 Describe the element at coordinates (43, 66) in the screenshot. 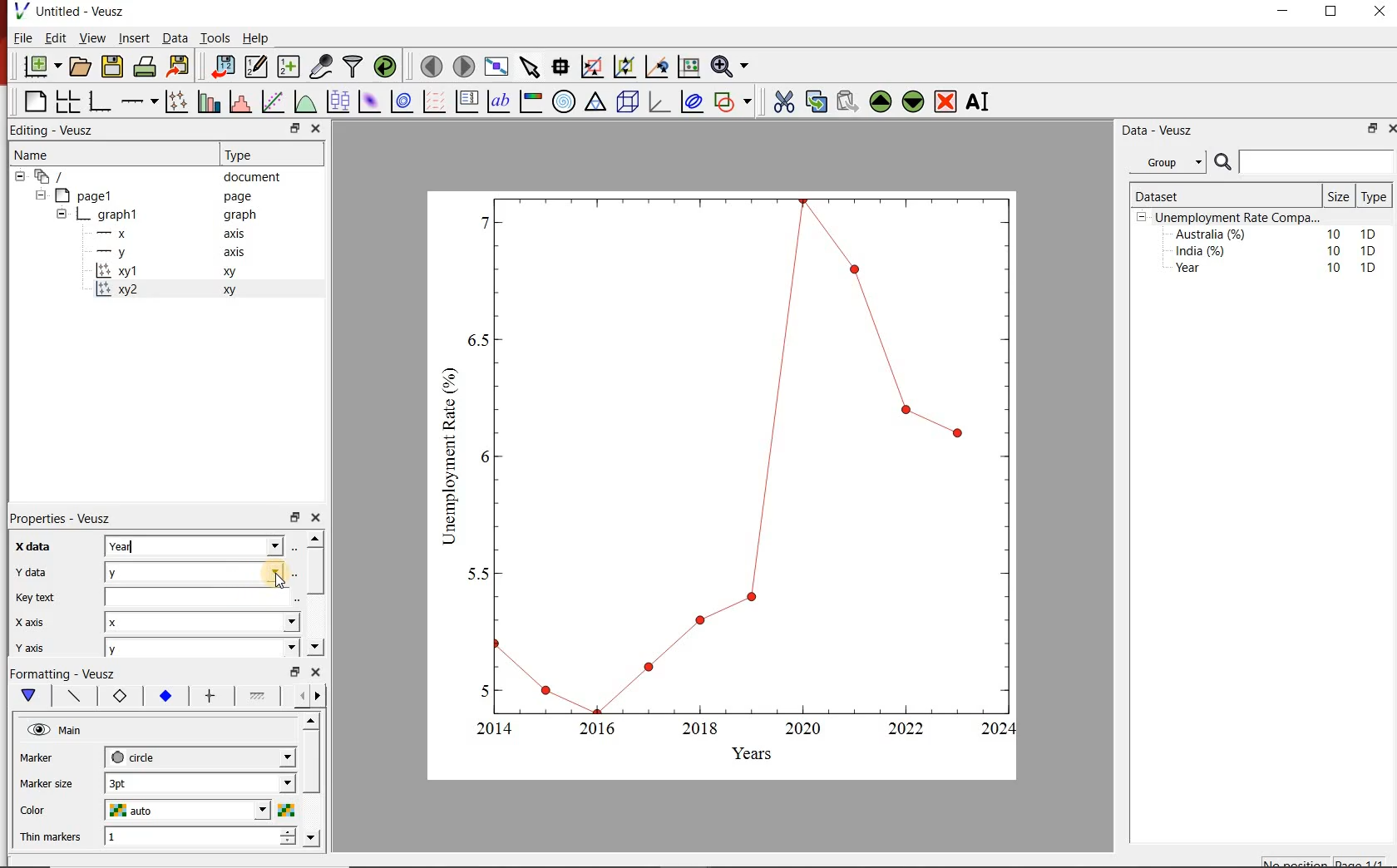

I see `new document` at that location.